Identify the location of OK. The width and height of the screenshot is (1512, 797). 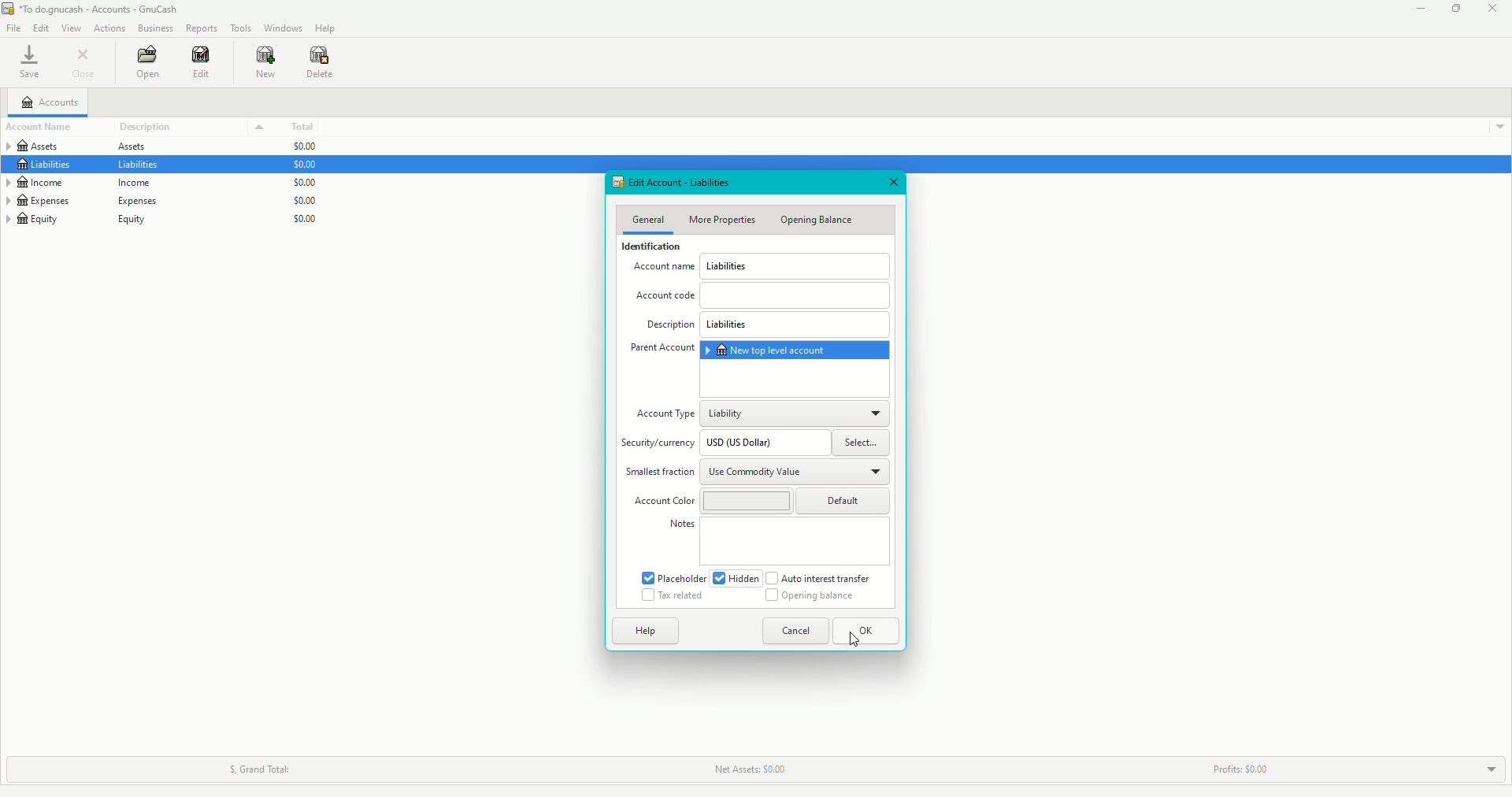
(865, 632).